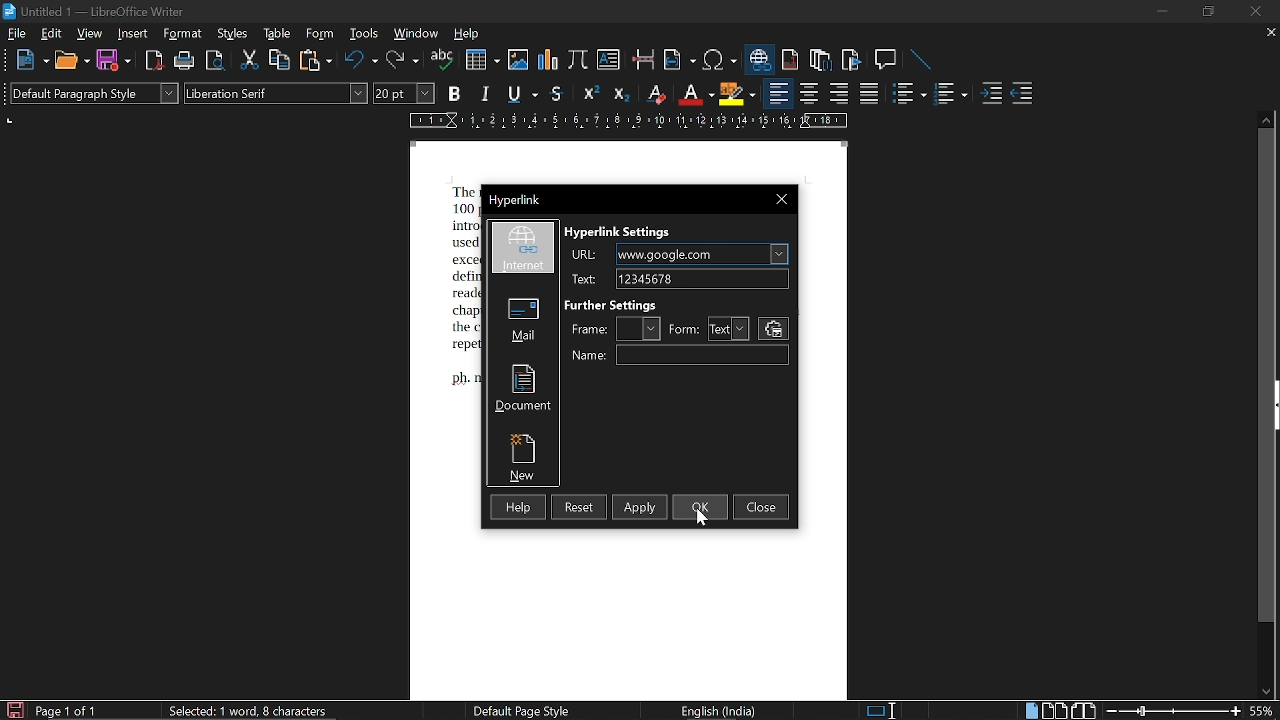 The image size is (1280, 720). Describe the element at coordinates (1267, 690) in the screenshot. I see `move down` at that location.